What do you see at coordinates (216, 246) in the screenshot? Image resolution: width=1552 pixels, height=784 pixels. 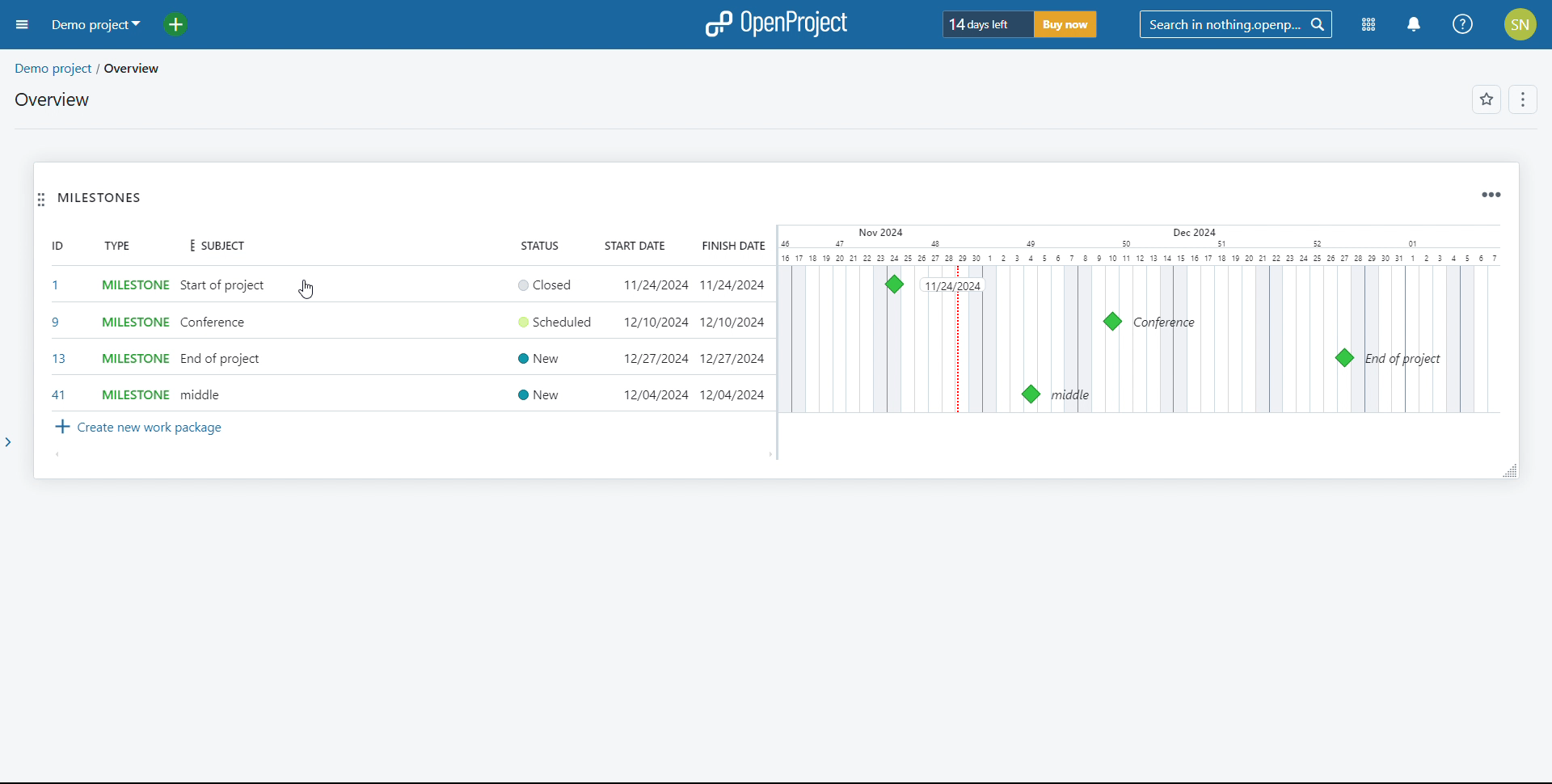 I see `subject` at bounding box center [216, 246].